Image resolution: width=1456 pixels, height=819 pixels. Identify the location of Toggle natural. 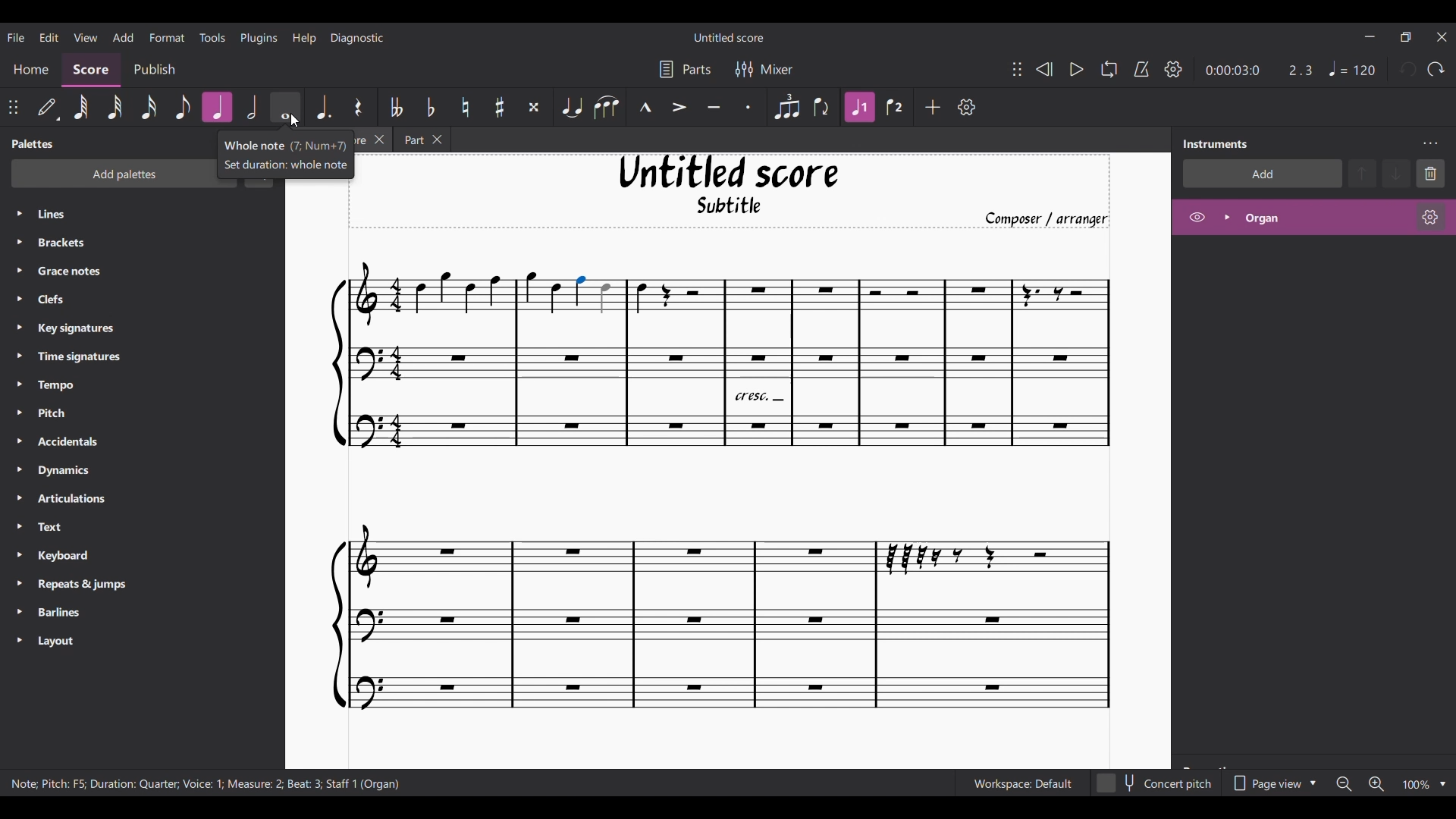
(466, 107).